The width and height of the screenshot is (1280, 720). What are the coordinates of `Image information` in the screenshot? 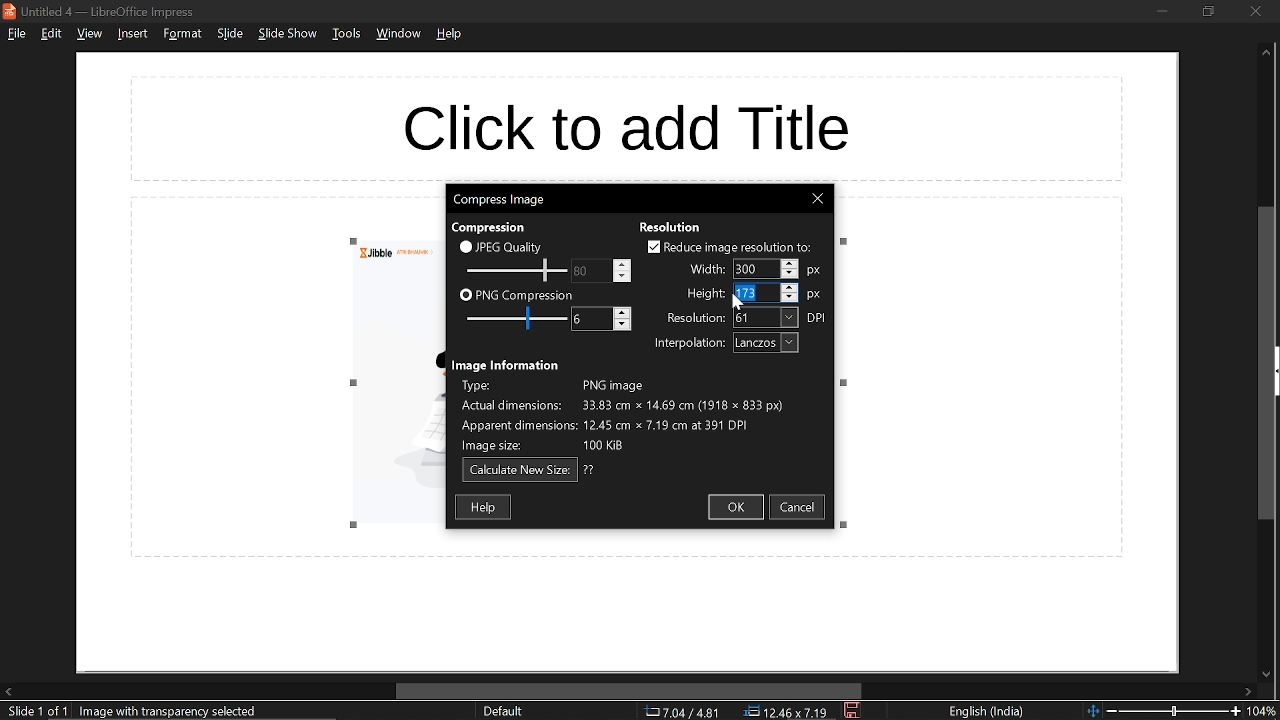 It's located at (641, 414).